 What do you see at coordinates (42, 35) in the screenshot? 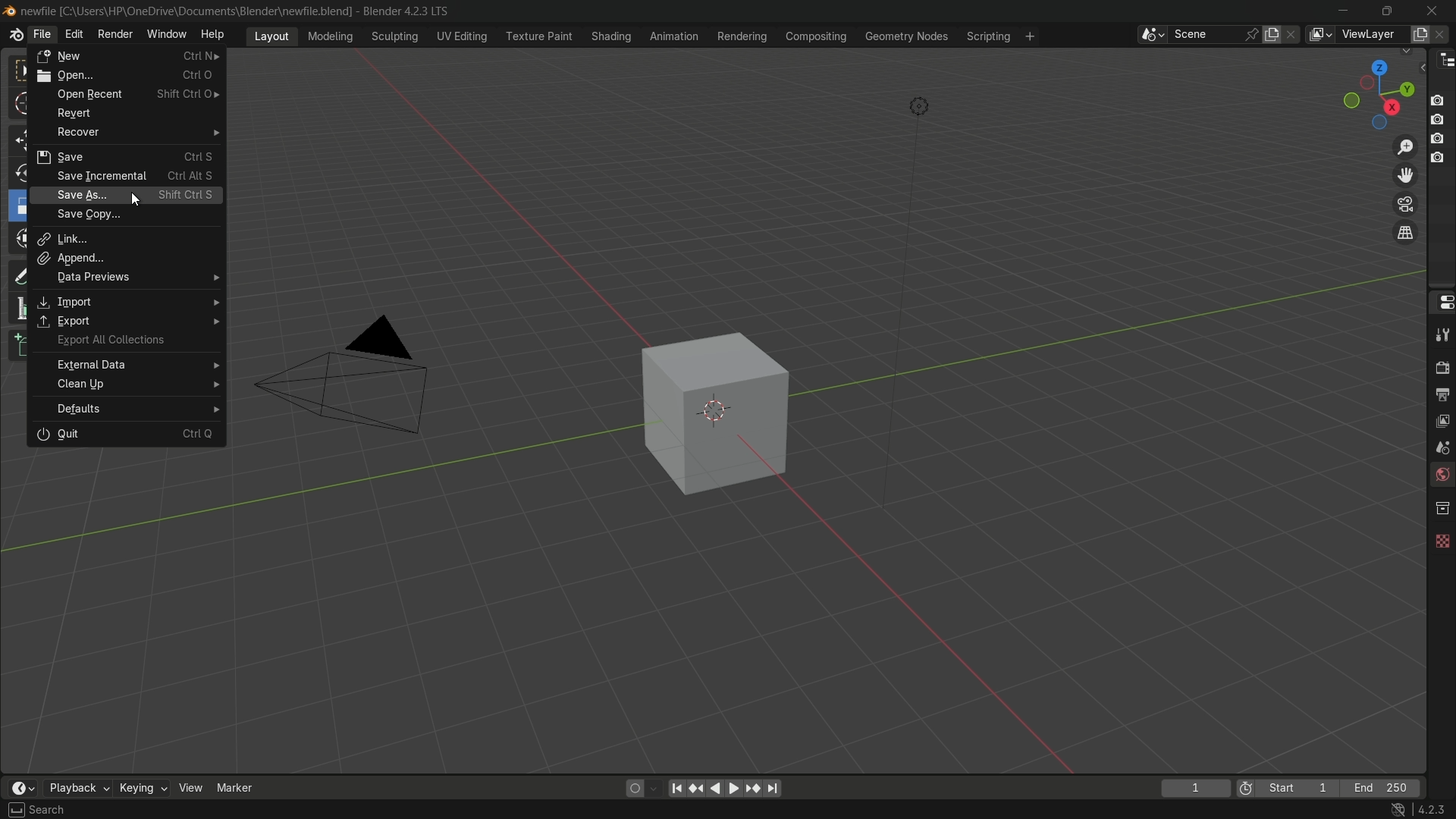
I see `file menu` at bounding box center [42, 35].